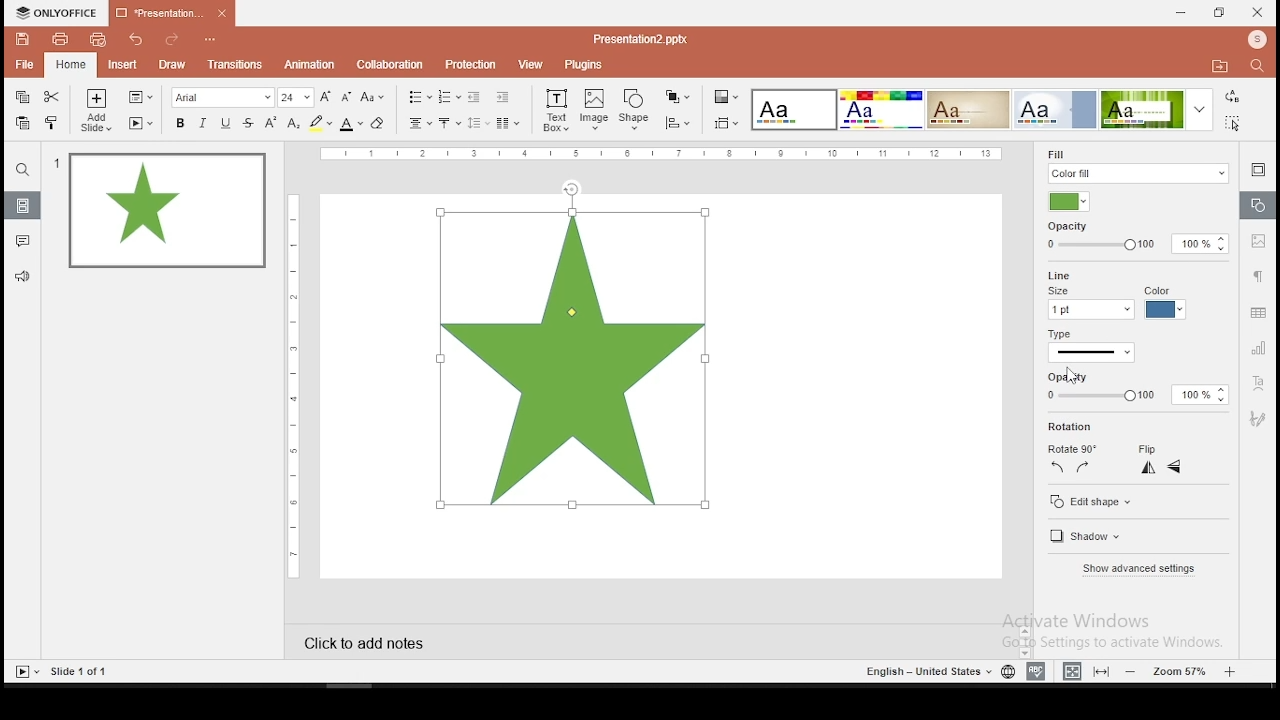  Describe the element at coordinates (1257, 275) in the screenshot. I see `paragraph settings` at that location.